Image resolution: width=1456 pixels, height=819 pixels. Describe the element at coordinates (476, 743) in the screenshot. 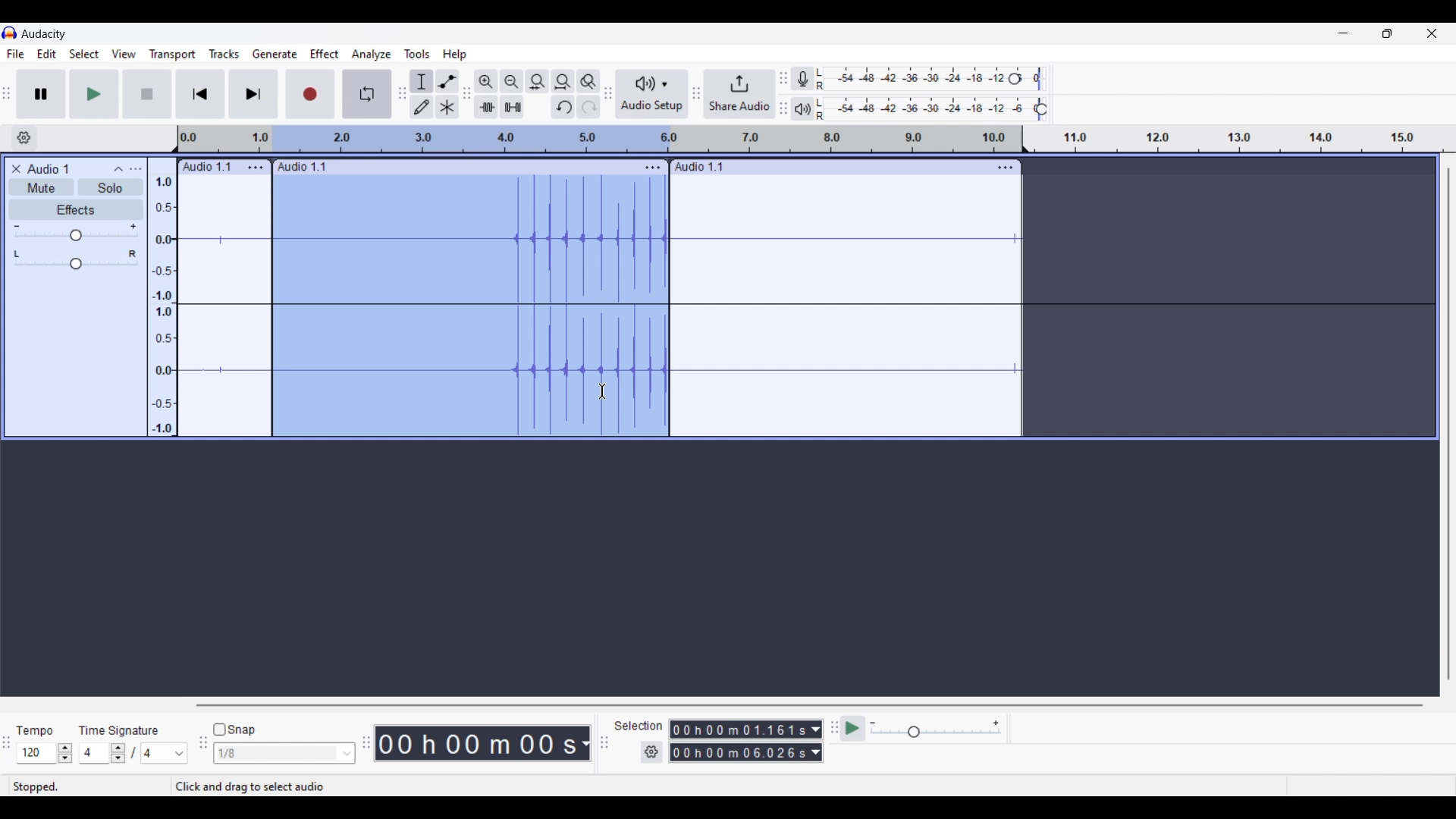

I see `Recorded duration` at that location.